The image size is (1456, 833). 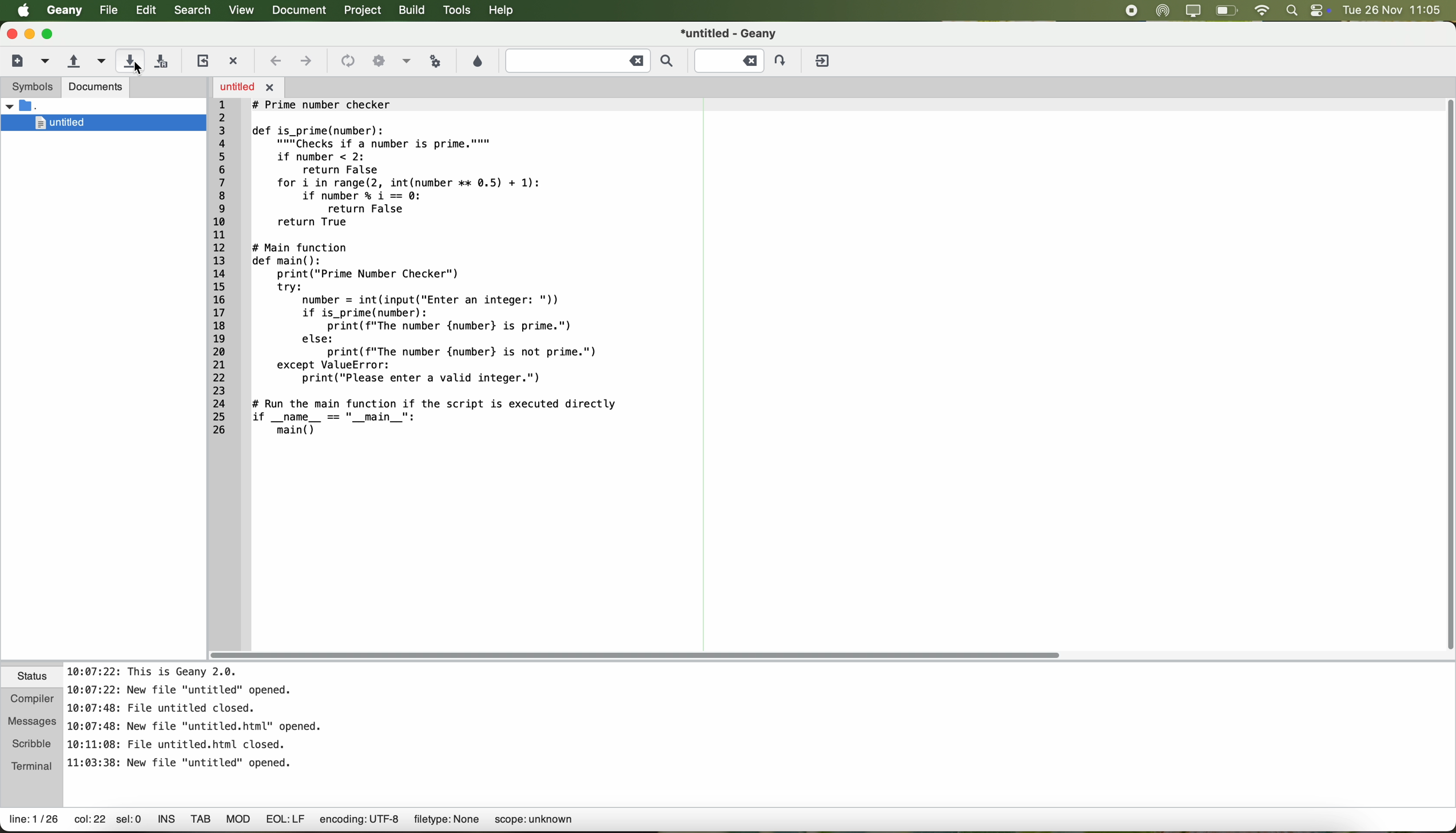 I want to click on cursor, so click(x=142, y=70).